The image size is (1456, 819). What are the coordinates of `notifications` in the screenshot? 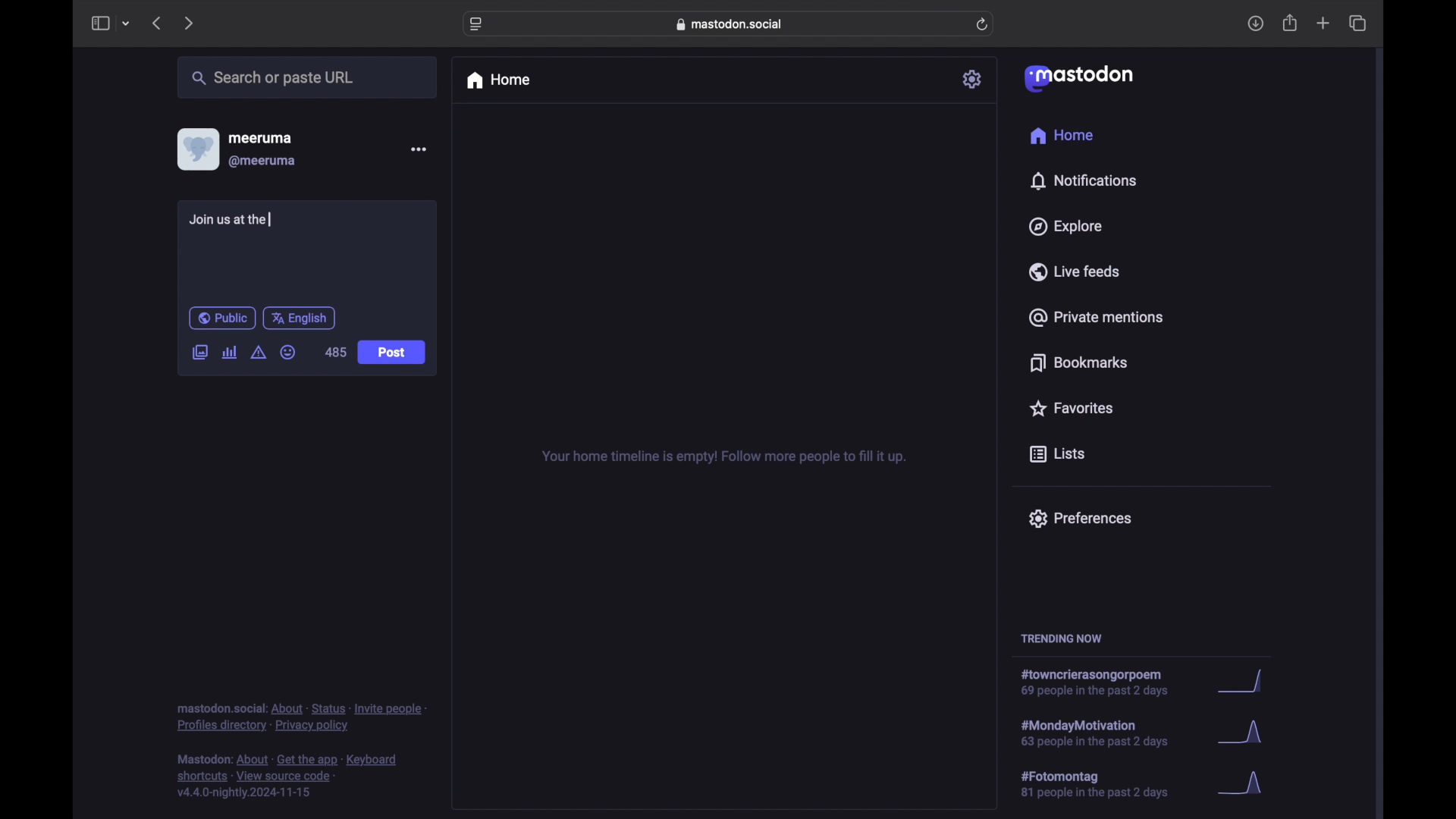 It's located at (1083, 180).